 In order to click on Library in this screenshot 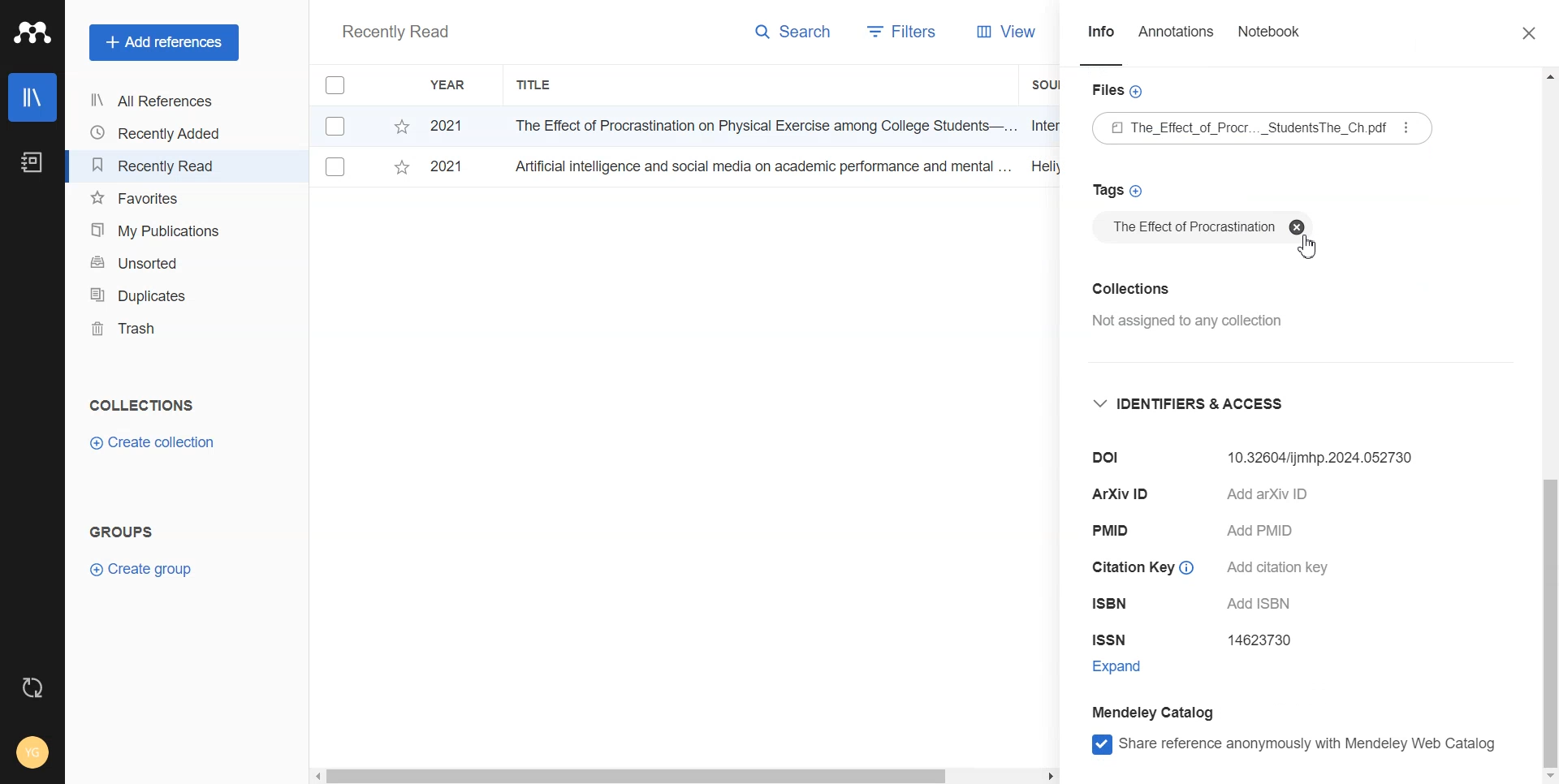, I will do `click(33, 97)`.